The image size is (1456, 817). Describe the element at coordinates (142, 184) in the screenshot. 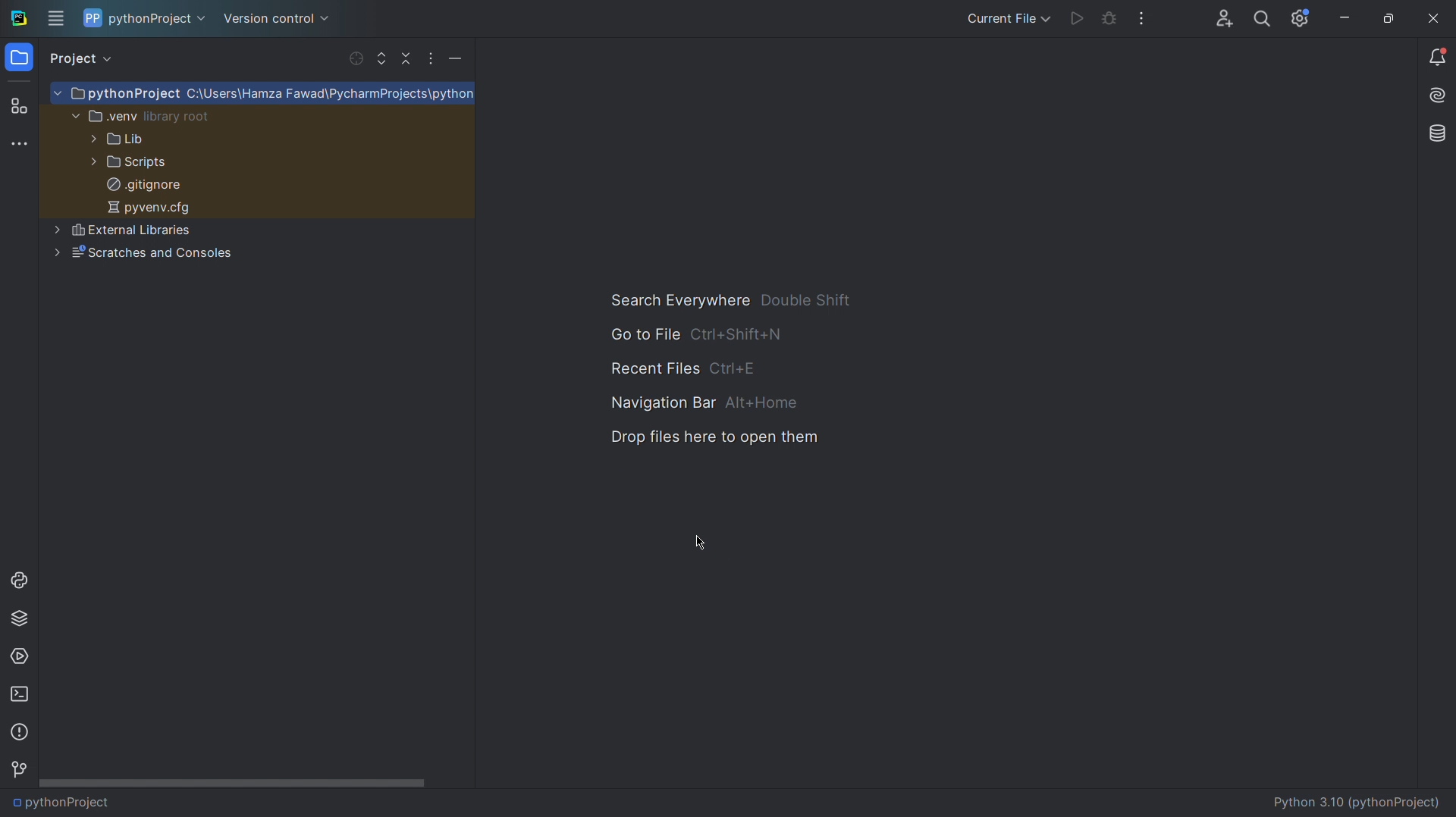

I see `gitgnore` at that location.